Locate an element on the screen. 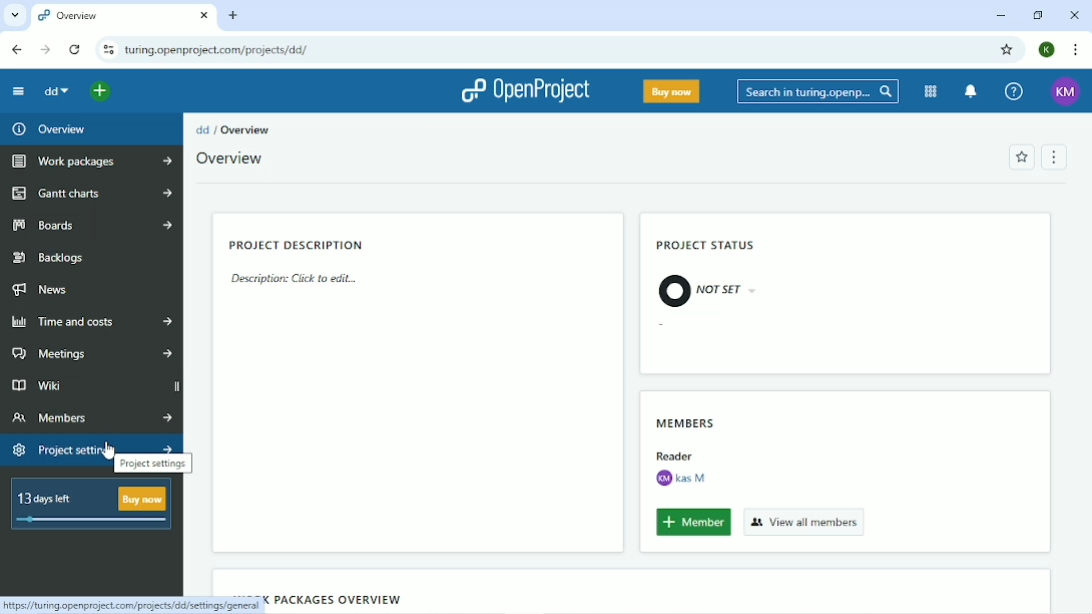 This screenshot has width=1092, height=614. Work packages overview is located at coordinates (339, 599).